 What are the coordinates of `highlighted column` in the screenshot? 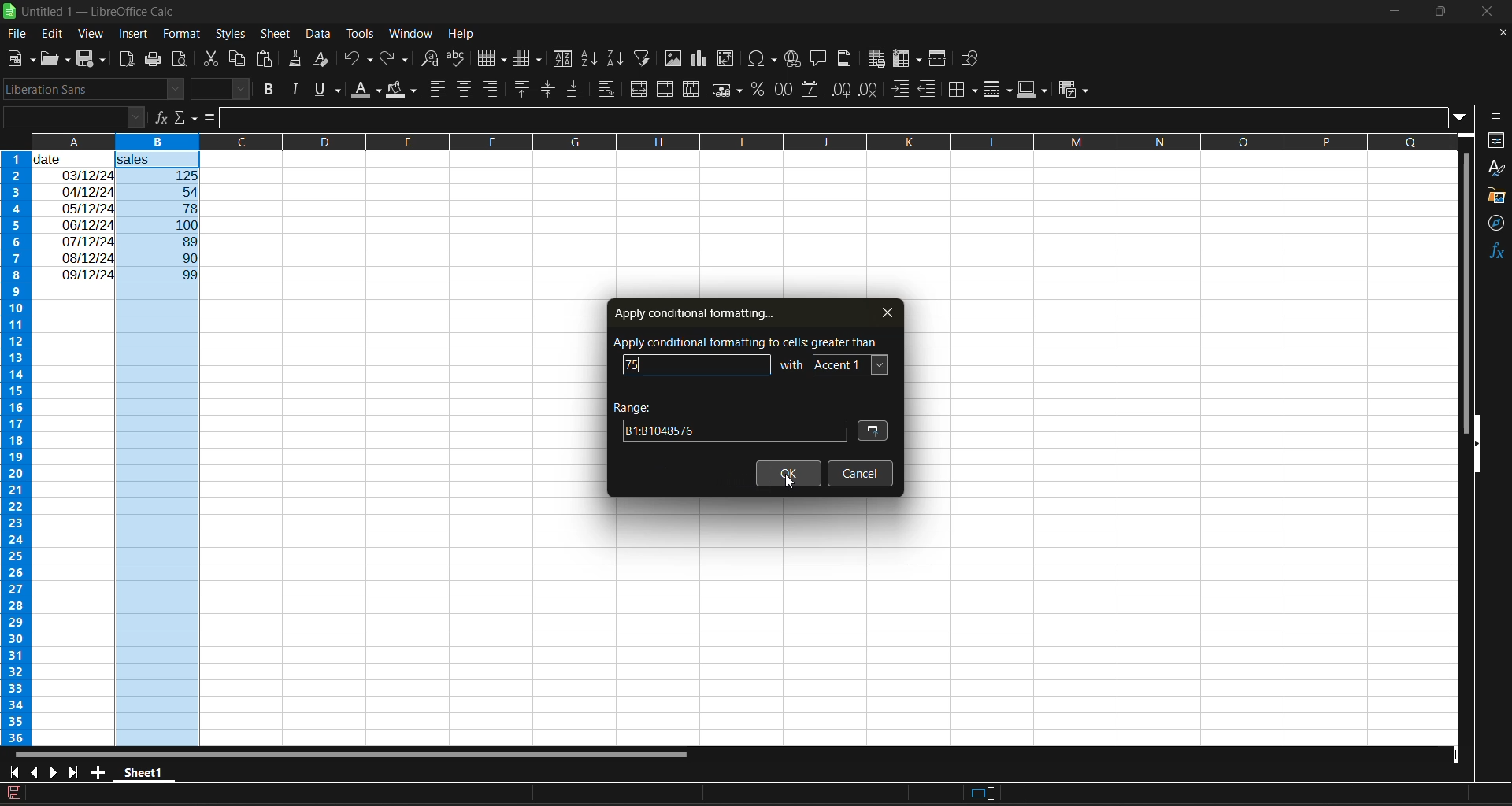 It's located at (163, 449).